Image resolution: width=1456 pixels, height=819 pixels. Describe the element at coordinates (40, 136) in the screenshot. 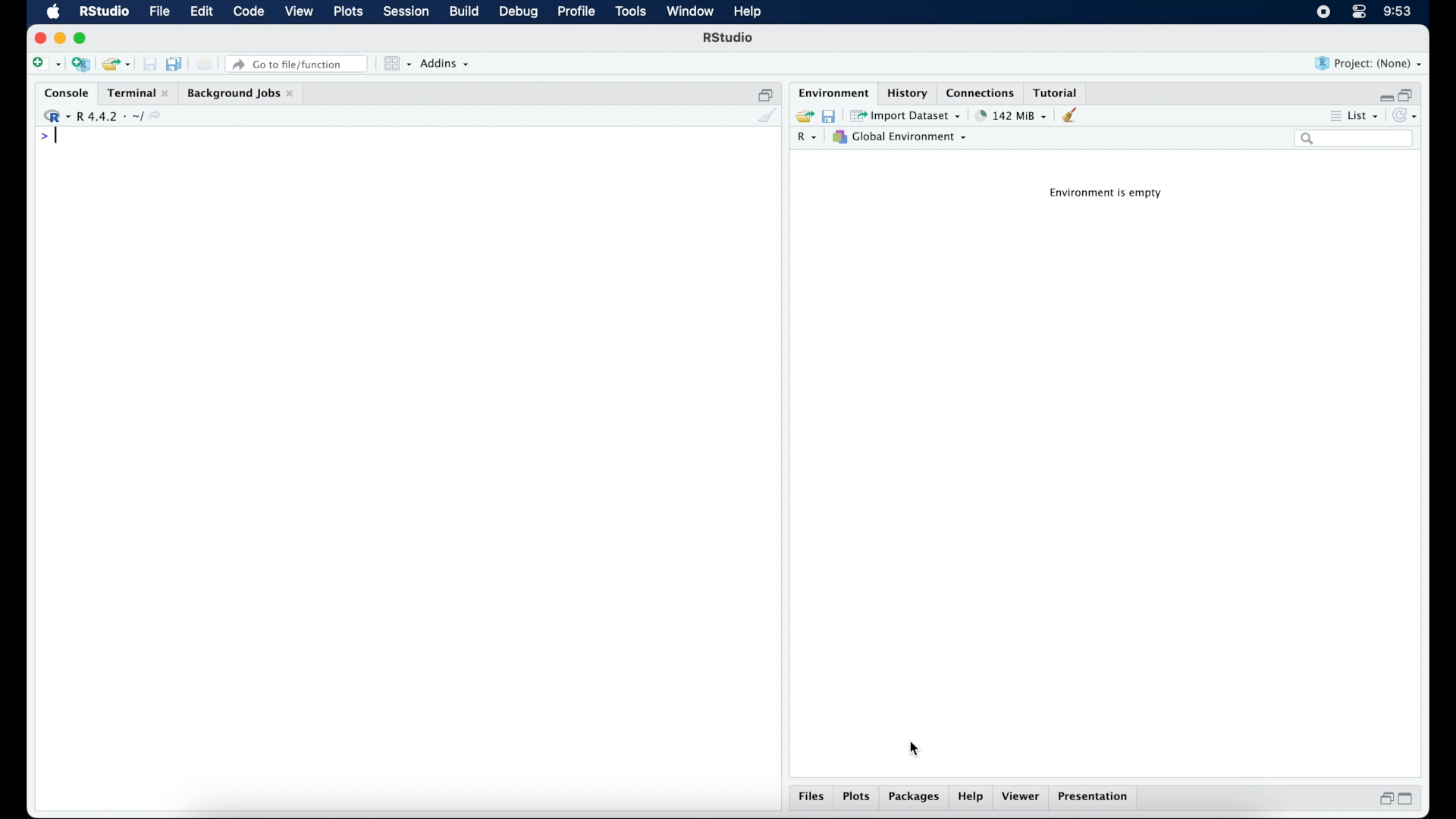

I see `command prompt` at that location.